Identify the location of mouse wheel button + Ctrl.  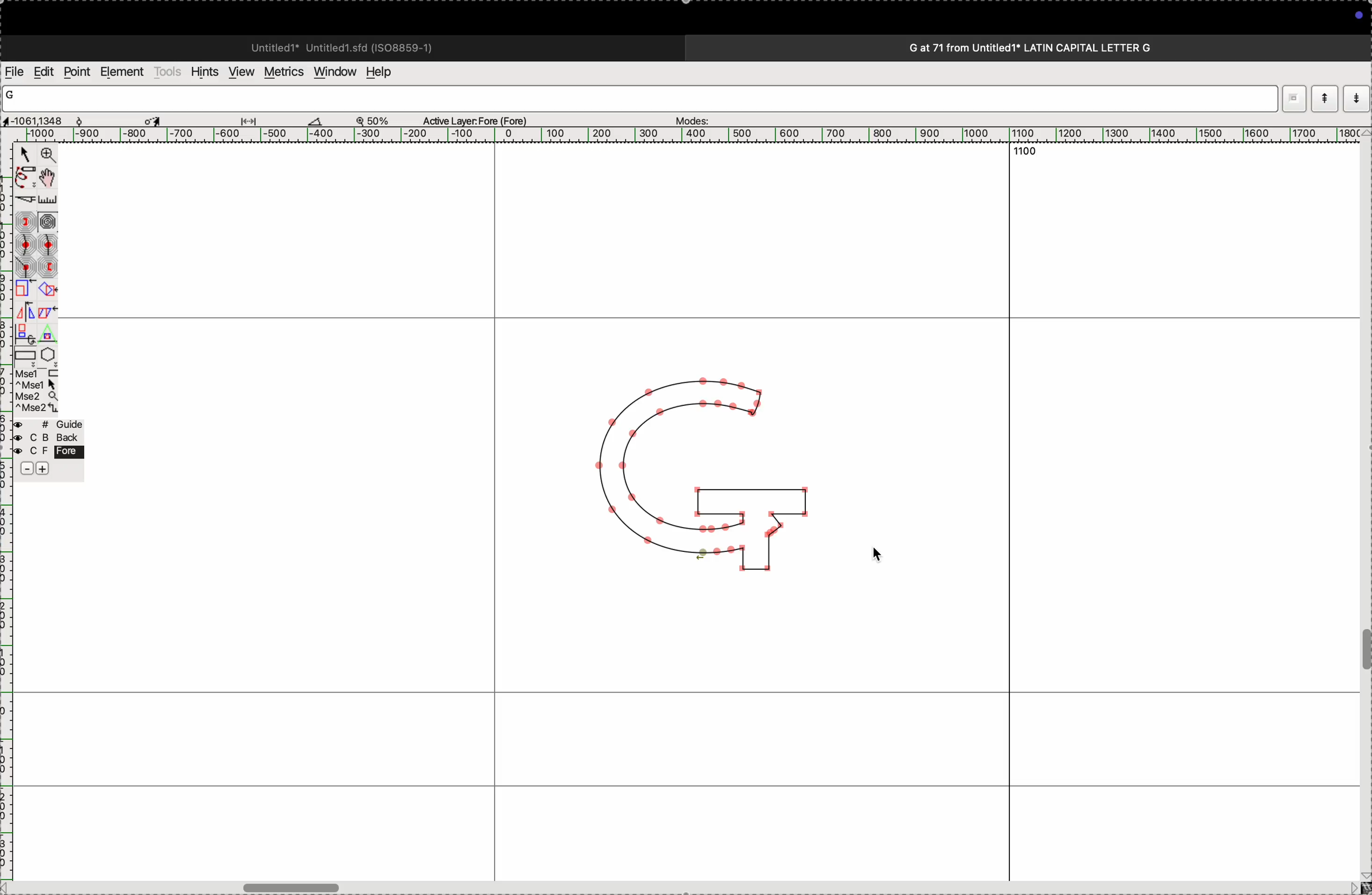
(37, 409).